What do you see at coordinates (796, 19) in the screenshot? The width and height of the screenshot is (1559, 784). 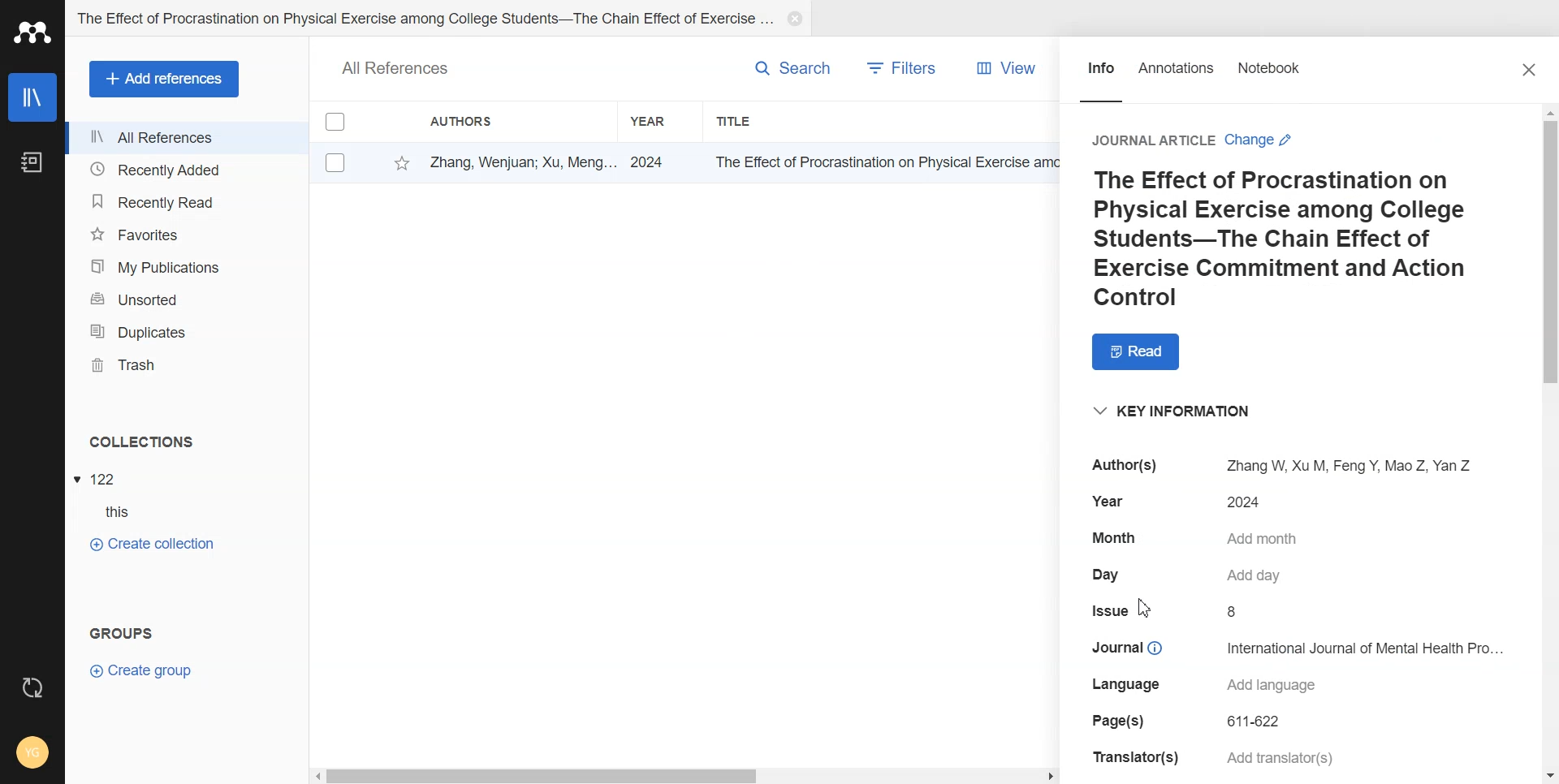 I see `Close` at bounding box center [796, 19].